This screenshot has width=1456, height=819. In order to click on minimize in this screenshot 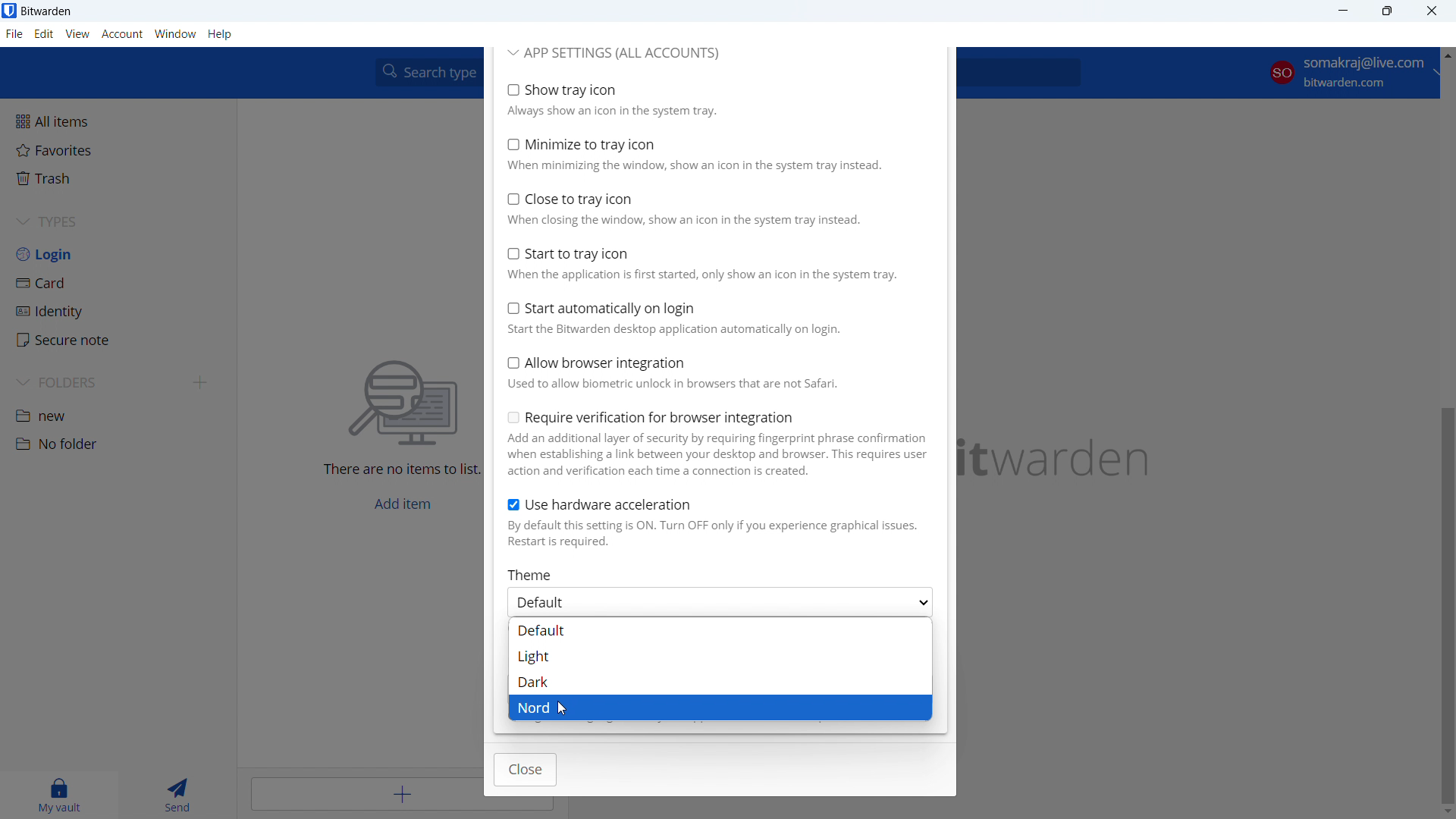, I will do `click(1342, 11)`.